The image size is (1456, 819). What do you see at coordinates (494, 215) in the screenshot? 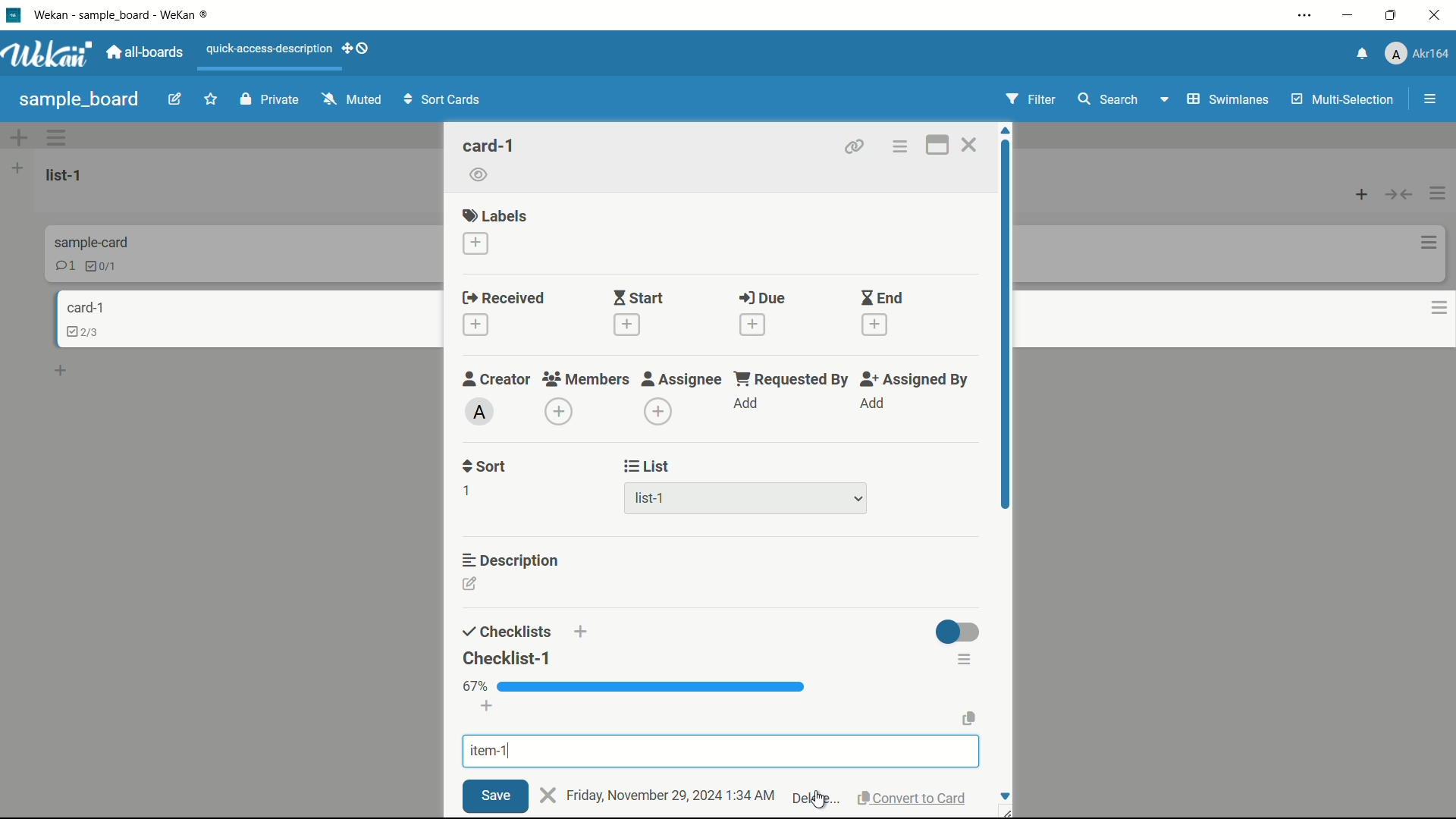
I see `labels` at bounding box center [494, 215].